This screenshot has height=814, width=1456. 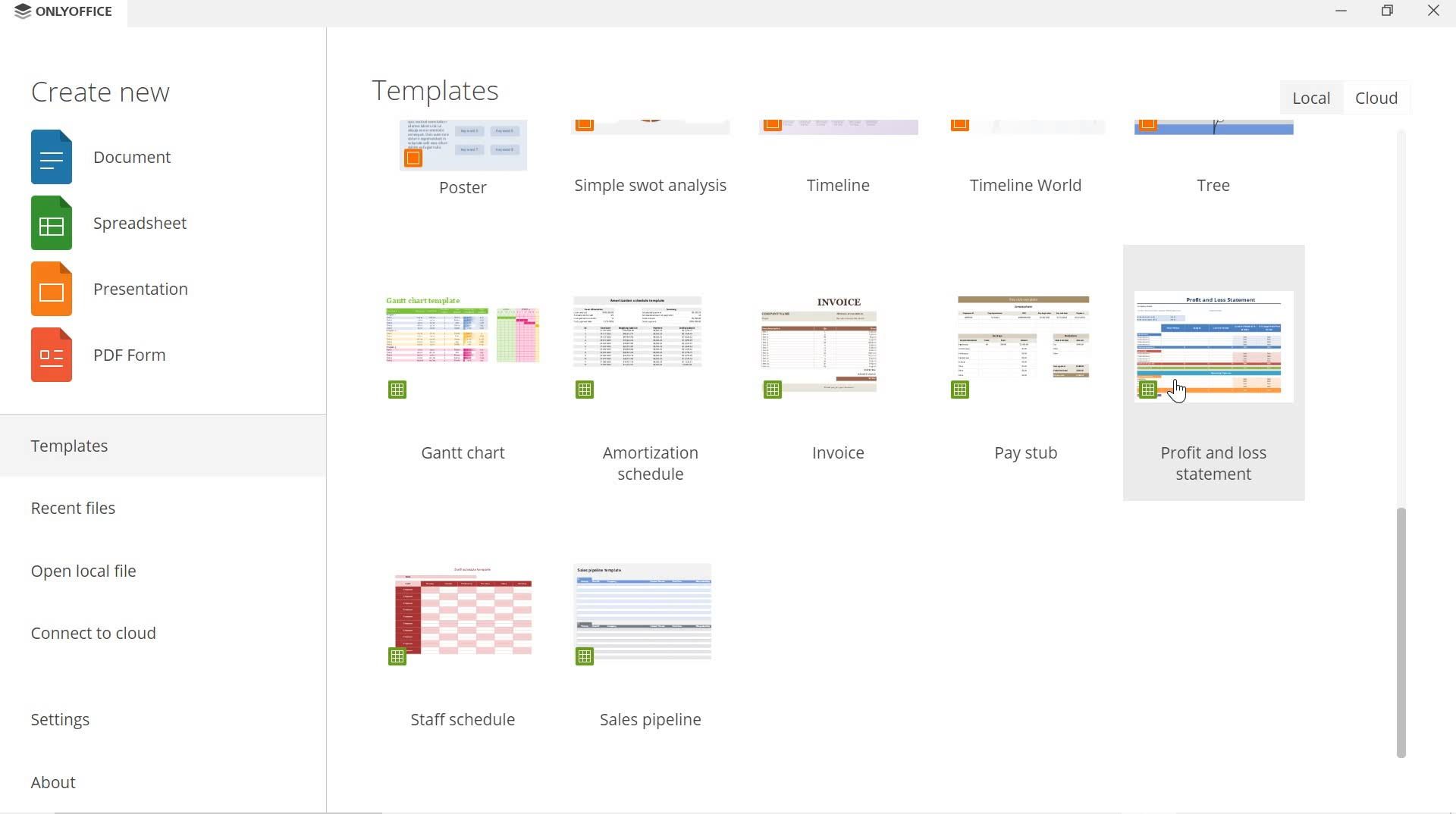 What do you see at coordinates (458, 143) in the screenshot?
I see `template design` at bounding box center [458, 143].